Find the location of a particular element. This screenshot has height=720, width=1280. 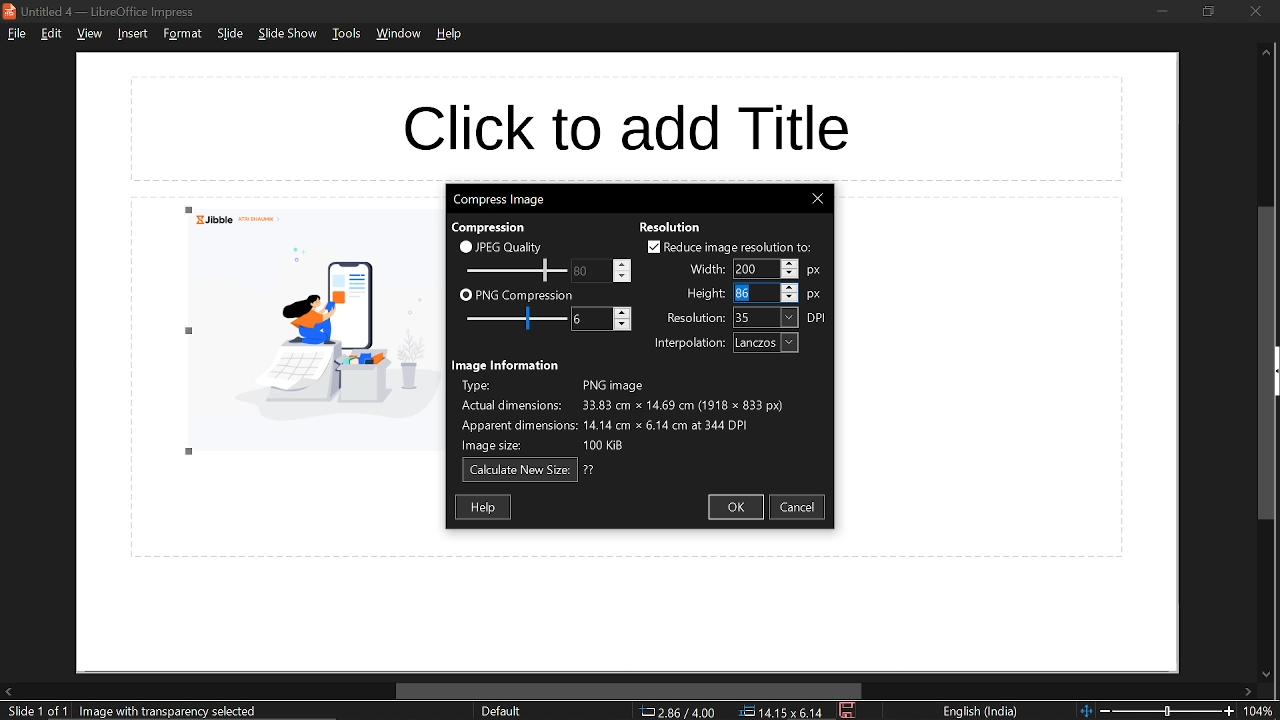

image information describing type of image, actual dimensions, apparent dimensions and image size is located at coordinates (634, 416).